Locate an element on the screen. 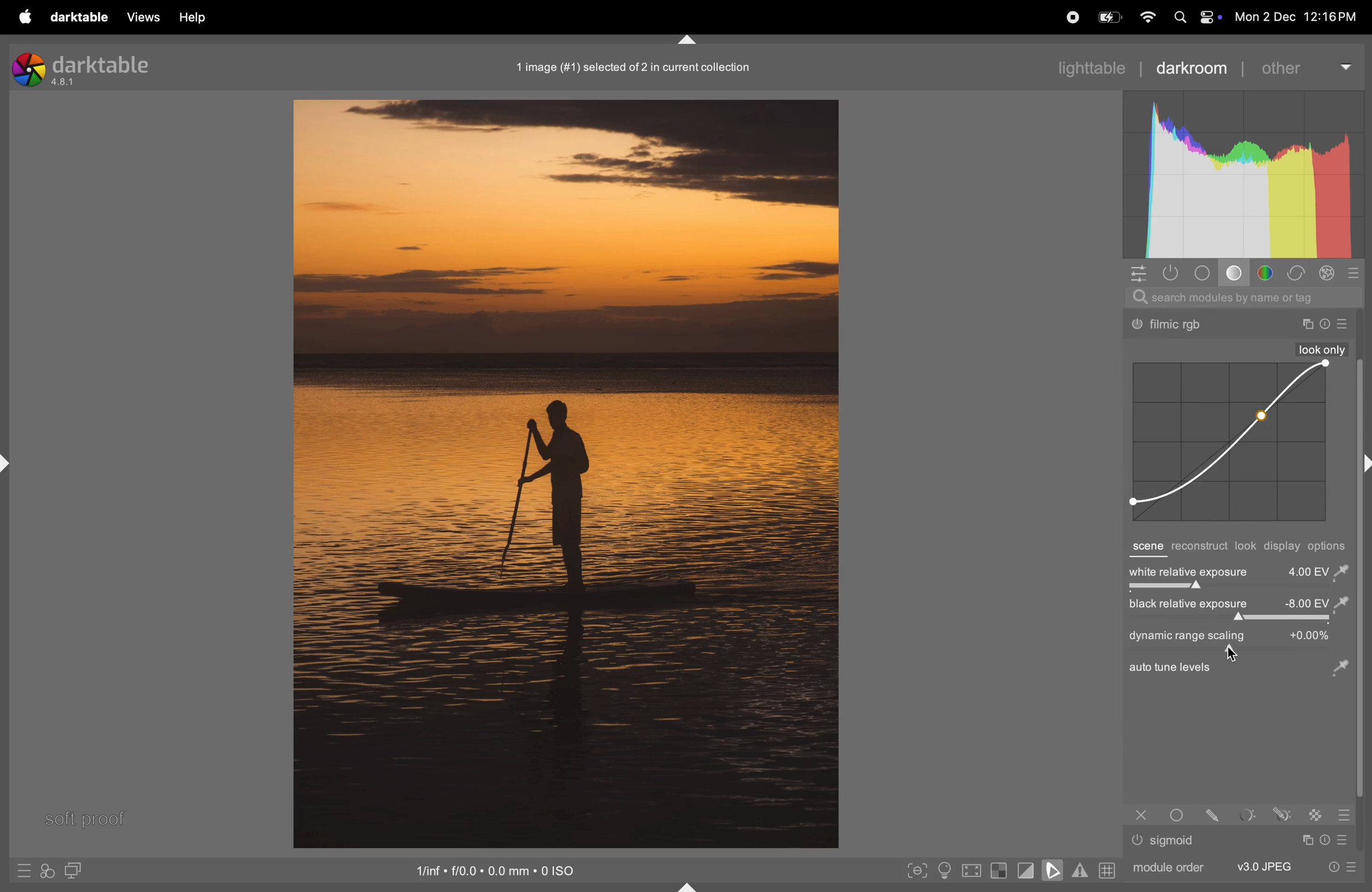  quick access panel is located at coordinates (1136, 273).